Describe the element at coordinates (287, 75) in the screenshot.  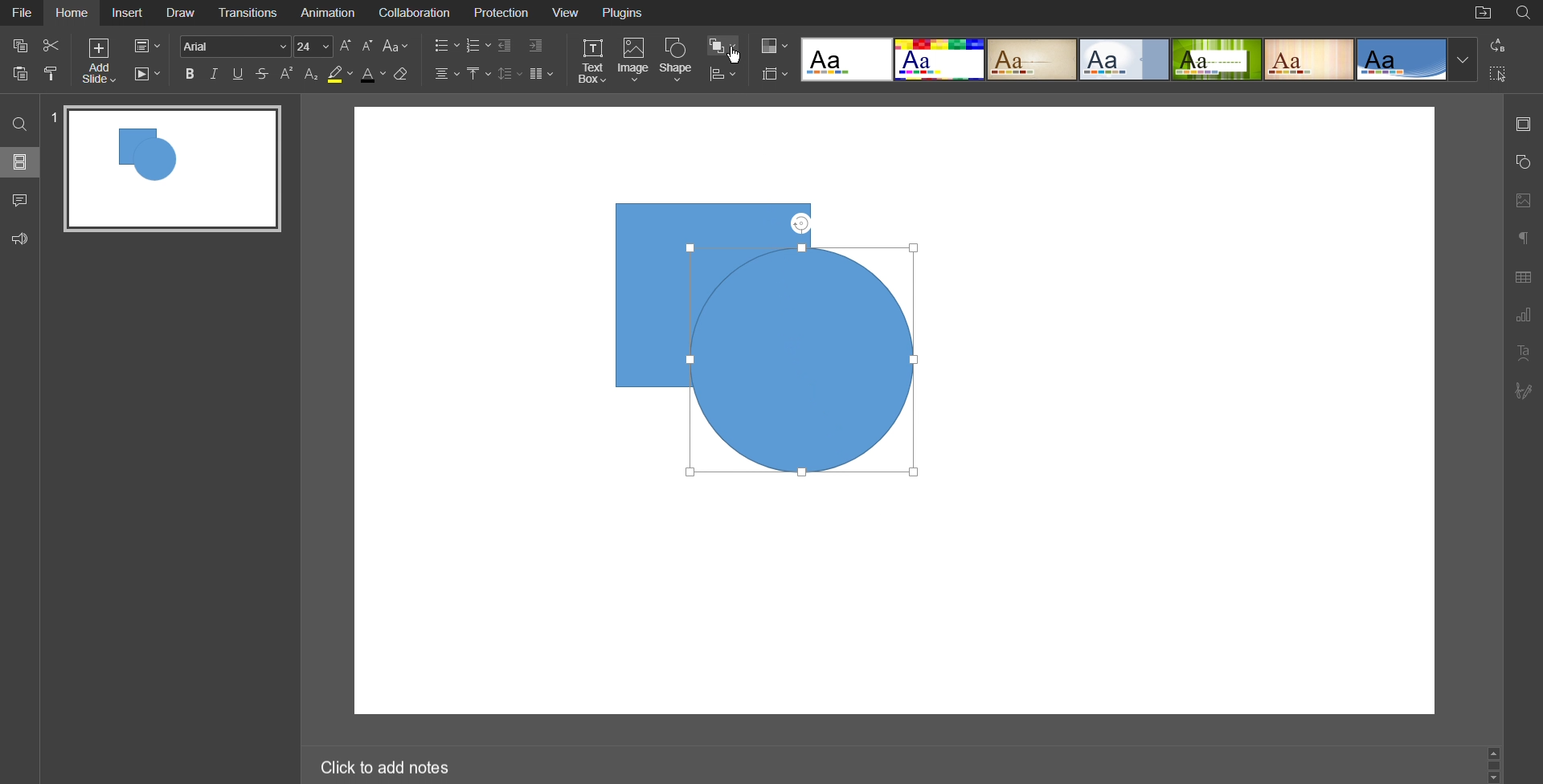
I see `Superscript` at that location.